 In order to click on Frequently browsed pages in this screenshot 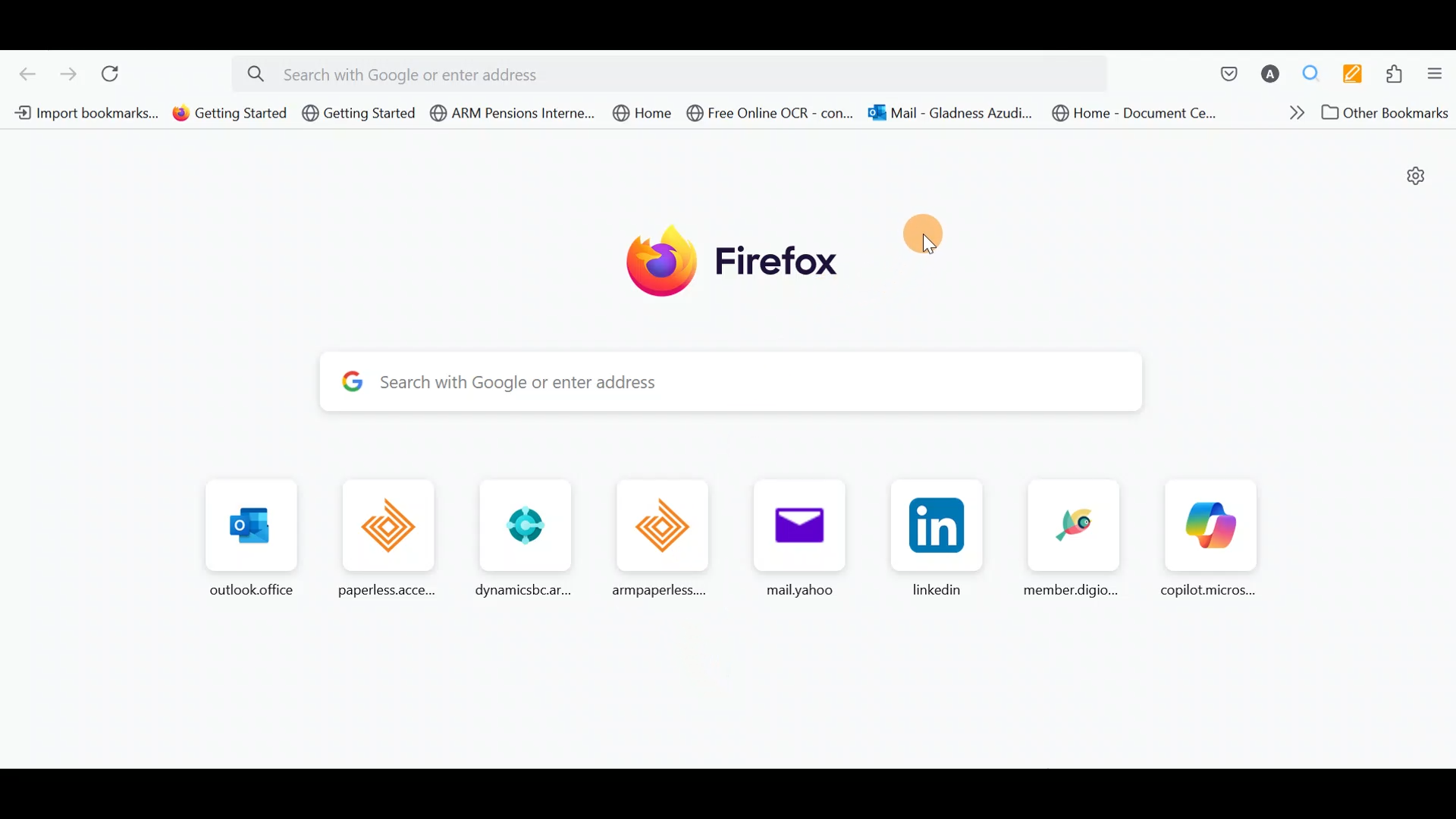, I will do `click(747, 536)`.